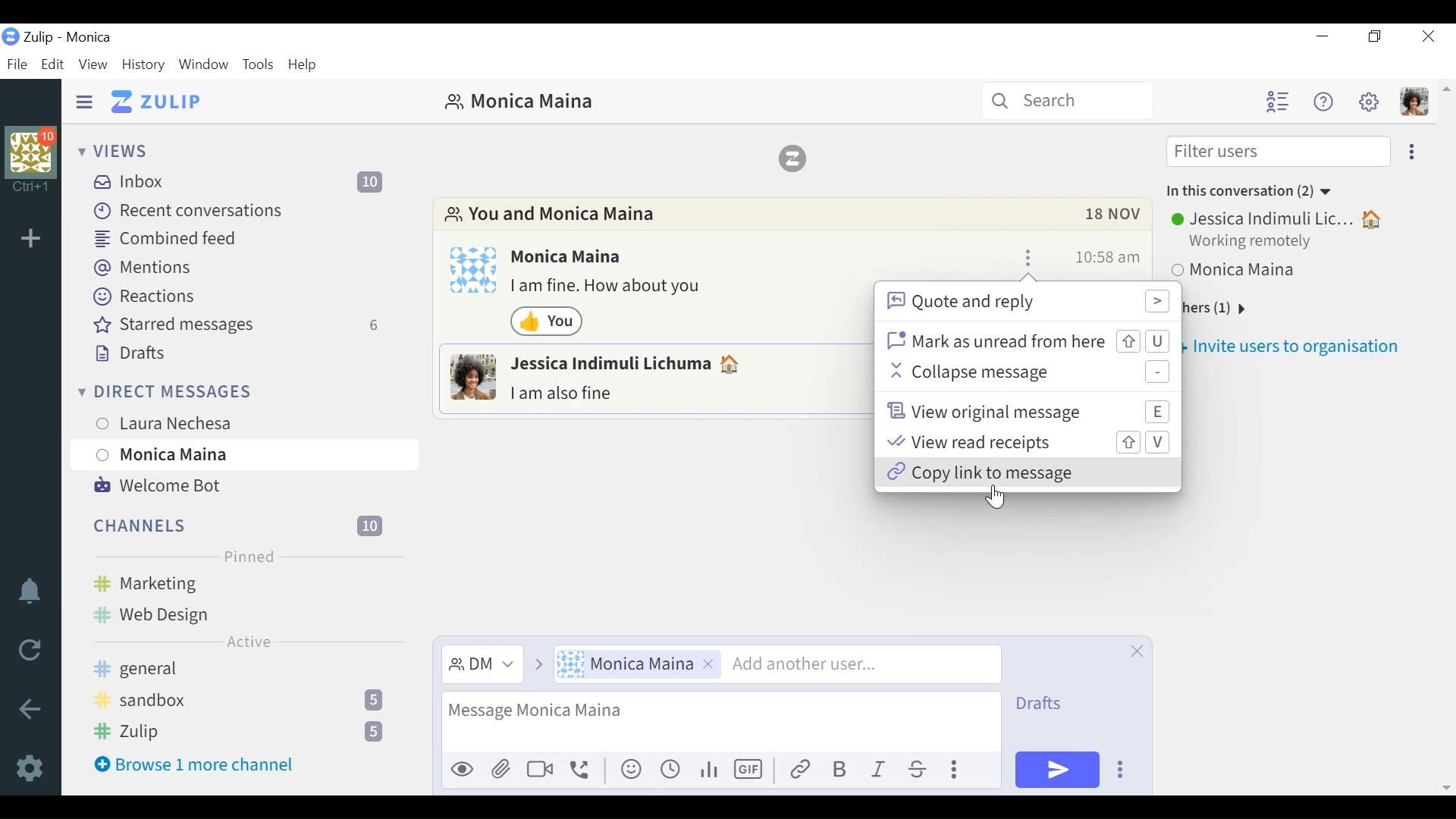  What do you see at coordinates (610, 288) in the screenshot?
I see `I am fine. How about you` at bounding box center [610, 288].